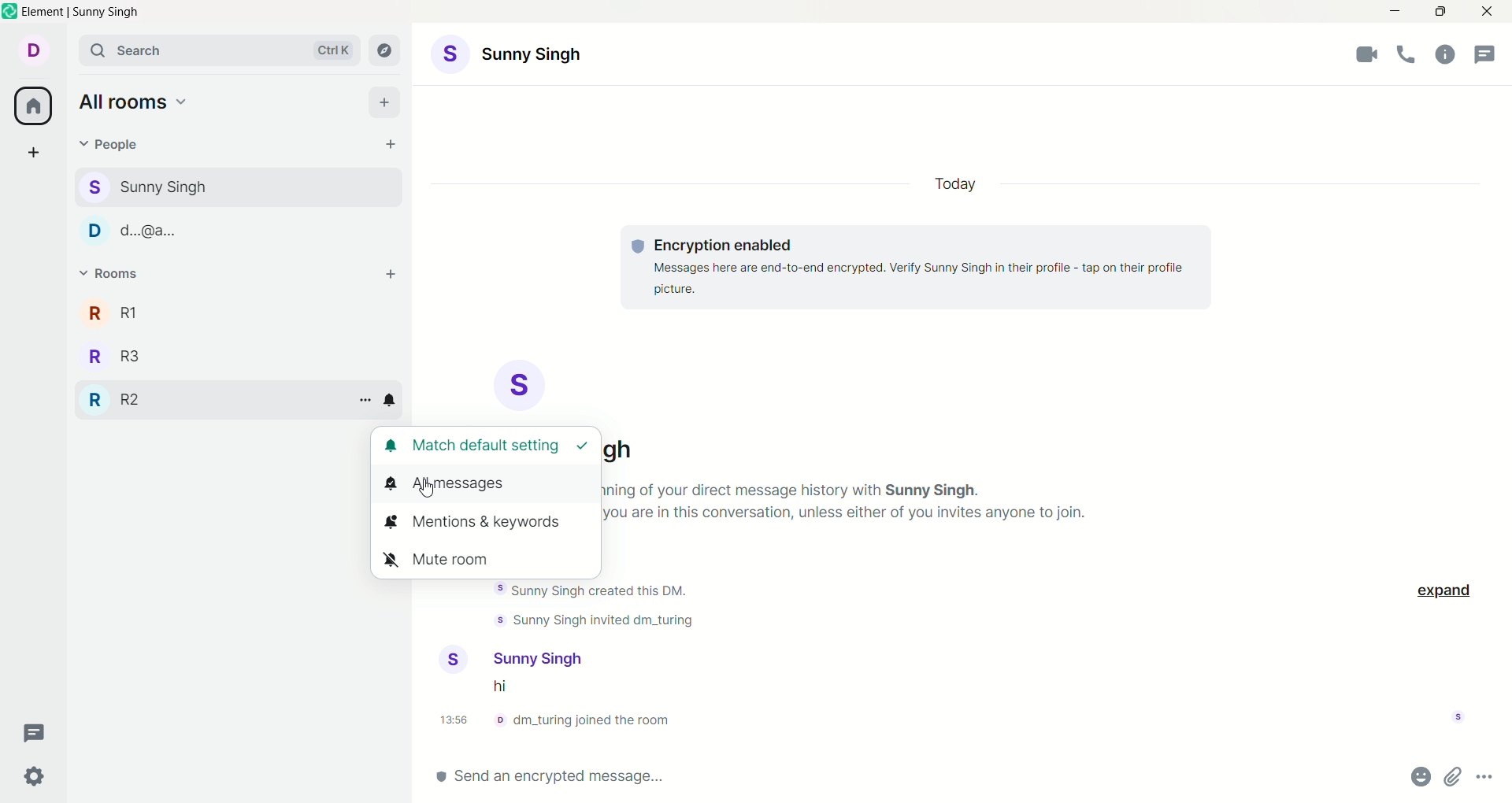  Describe the element at coordinates (361, 398) in the screenshot. I see `options` at that location.